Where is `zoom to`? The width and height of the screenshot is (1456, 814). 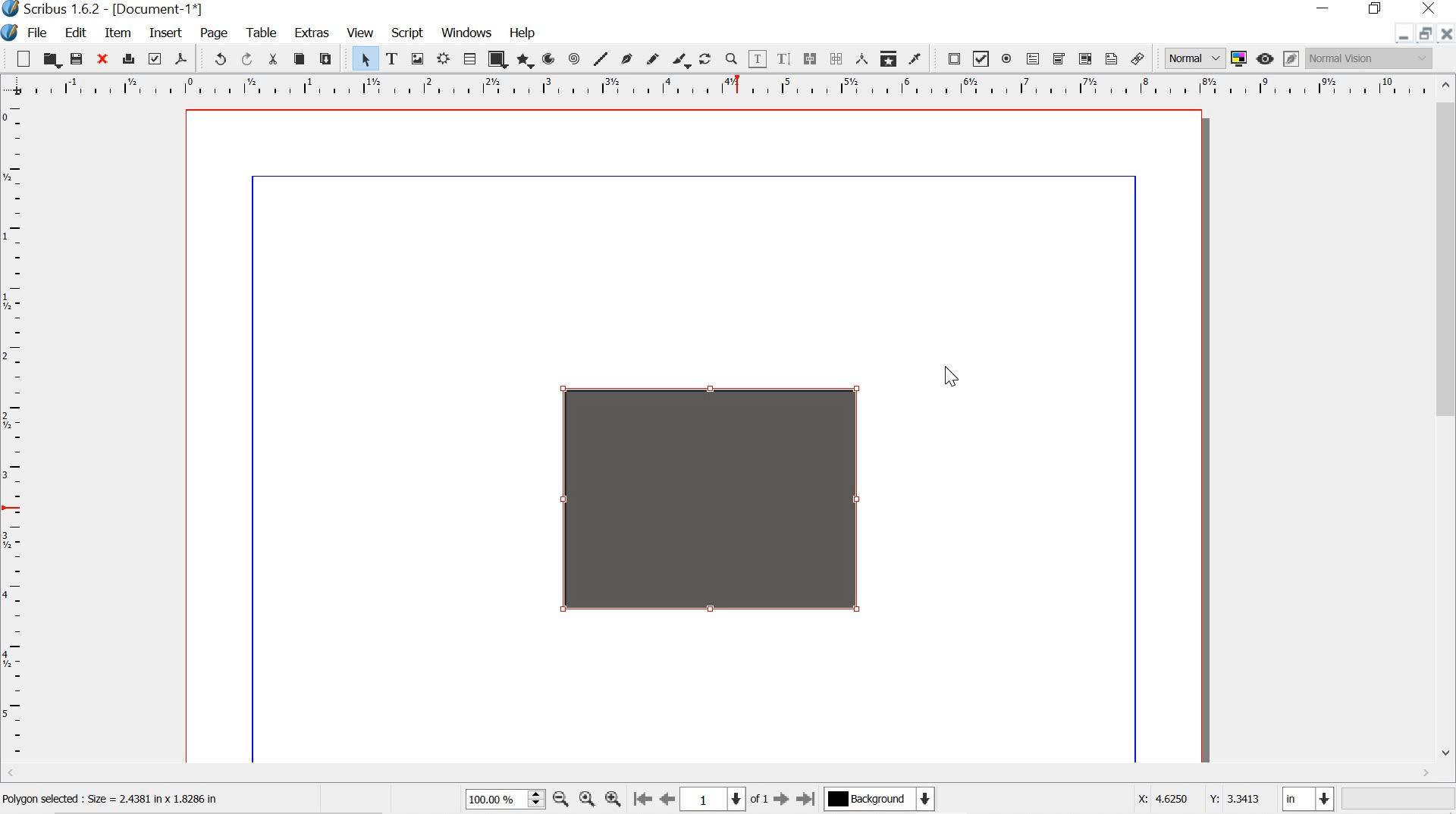
zoom to is located at coordinates (585, 799).